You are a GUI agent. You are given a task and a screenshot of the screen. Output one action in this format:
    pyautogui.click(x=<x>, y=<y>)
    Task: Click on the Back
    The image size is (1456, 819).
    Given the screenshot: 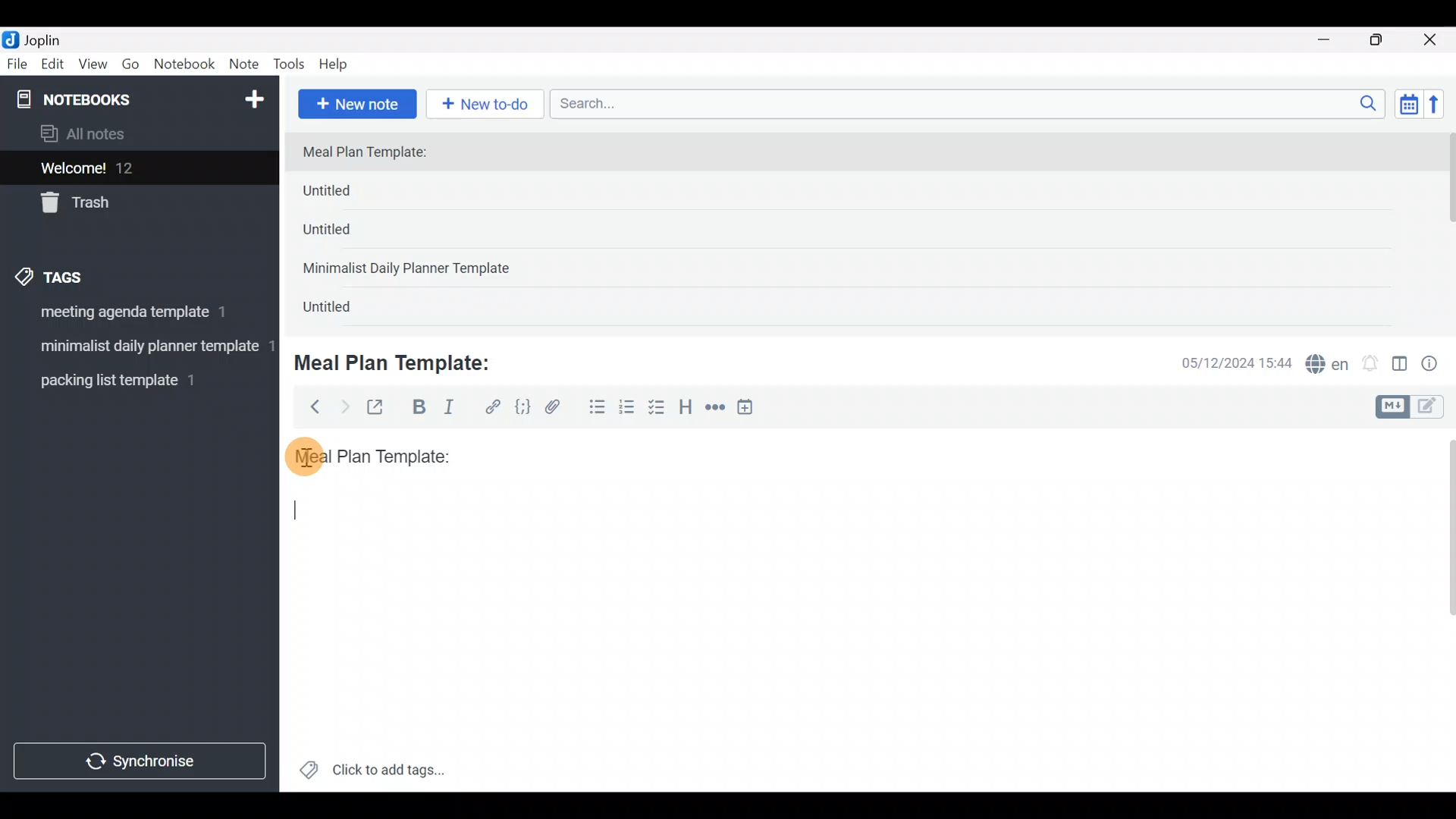 What is the action you would take?
    pyautogui.click(x=309, y=406)
    